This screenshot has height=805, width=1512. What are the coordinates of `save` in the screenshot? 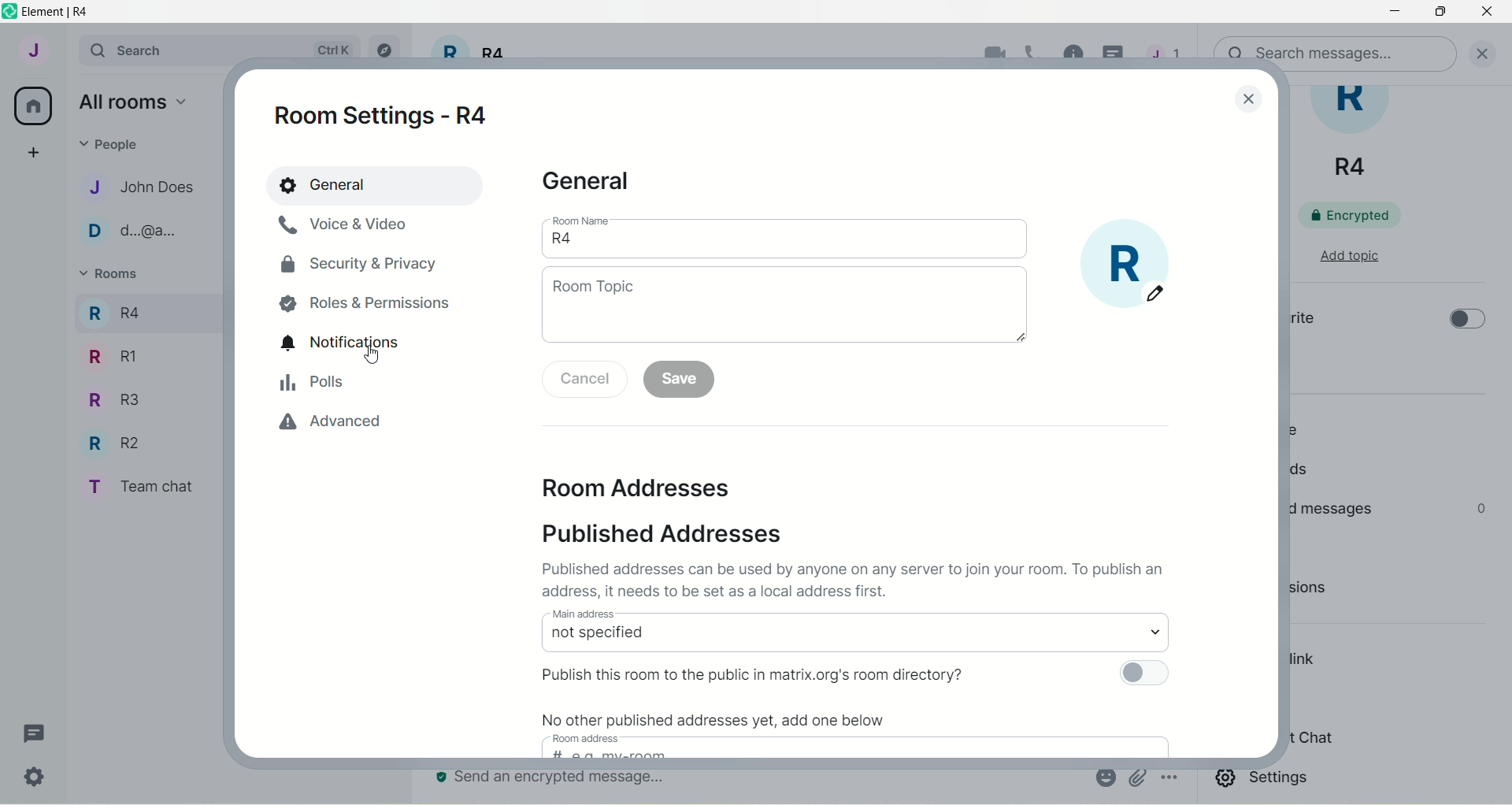 It's located at (683, 380).